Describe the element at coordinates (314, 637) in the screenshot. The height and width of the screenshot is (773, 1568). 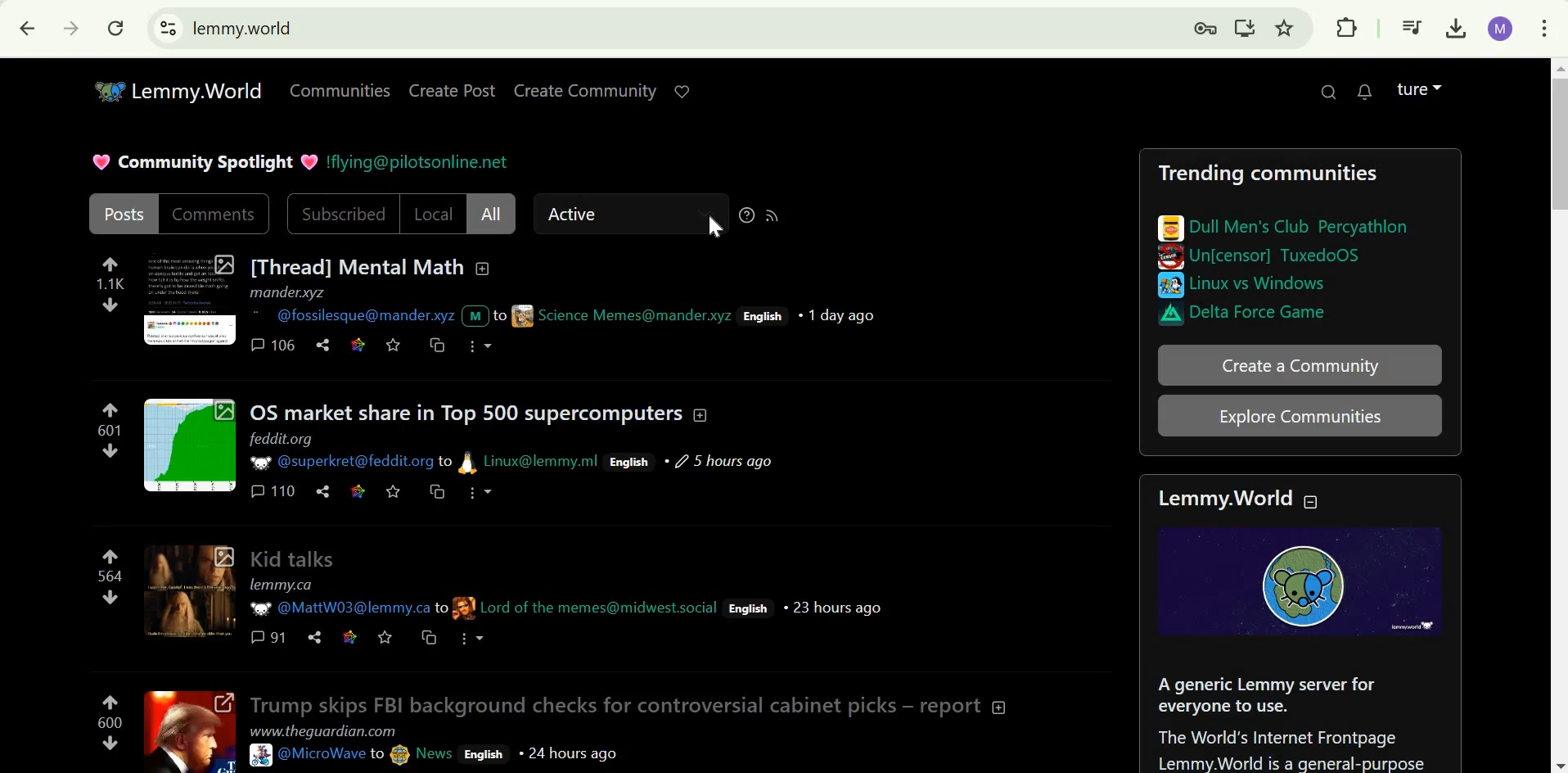
I see `Share` at that location.